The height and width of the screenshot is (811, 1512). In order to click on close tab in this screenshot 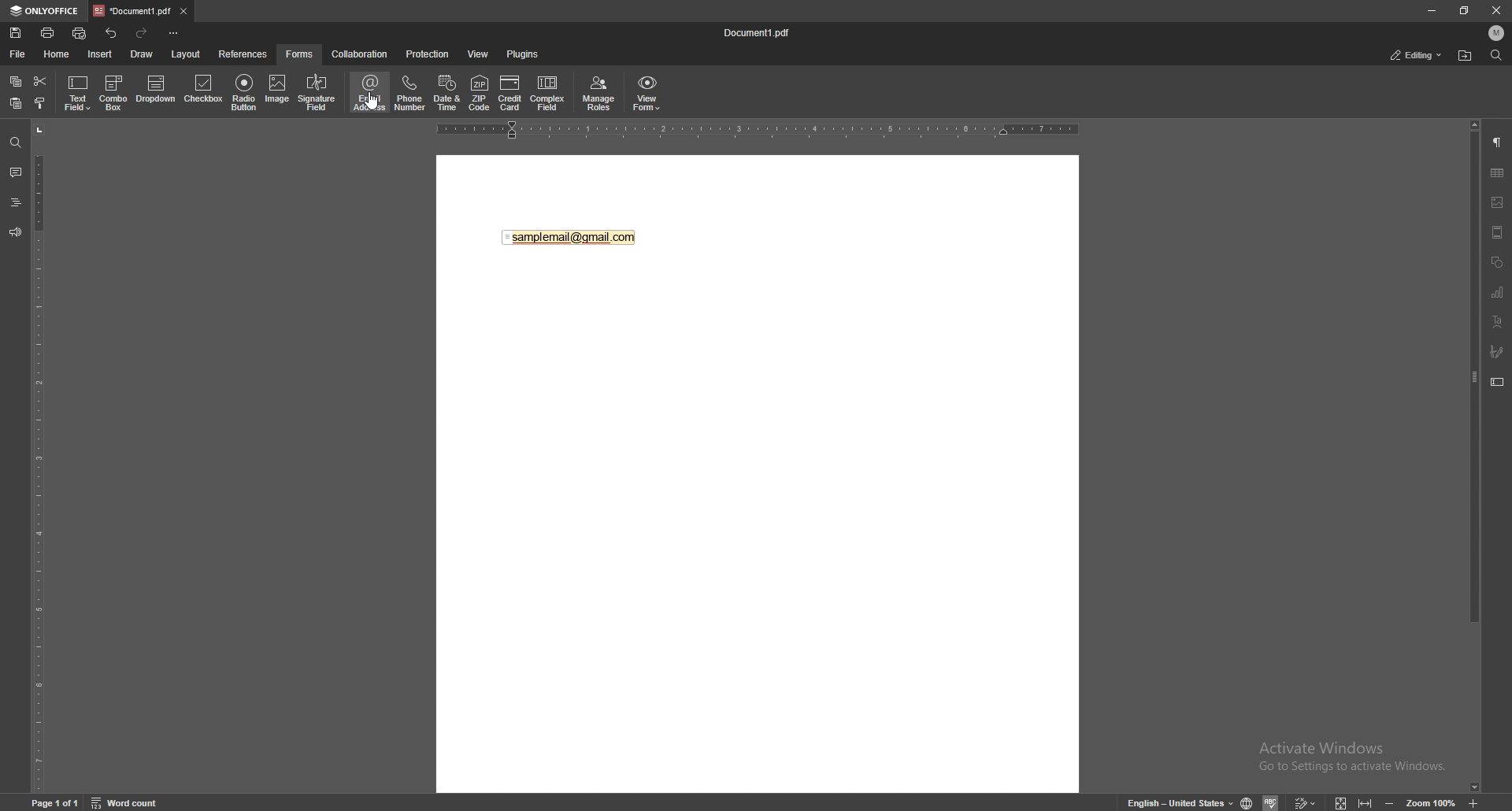, I will do `click(183, 12)`.